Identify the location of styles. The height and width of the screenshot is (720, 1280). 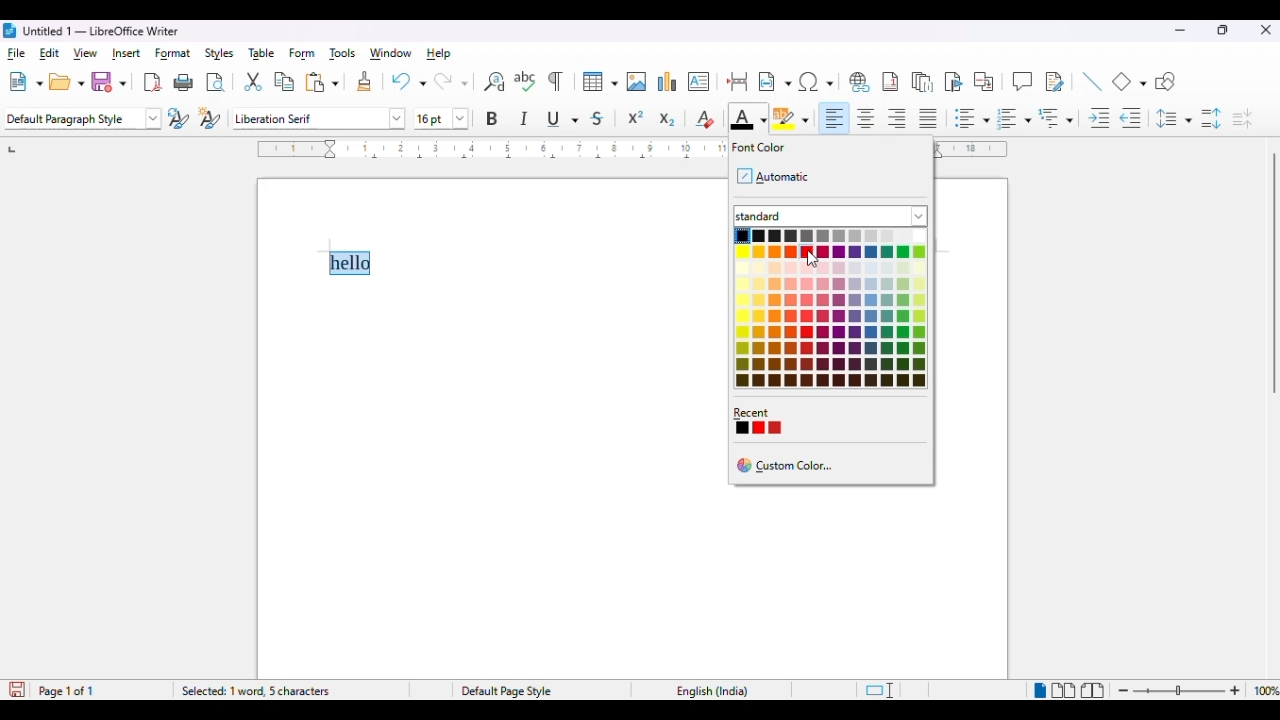
(220, 54).